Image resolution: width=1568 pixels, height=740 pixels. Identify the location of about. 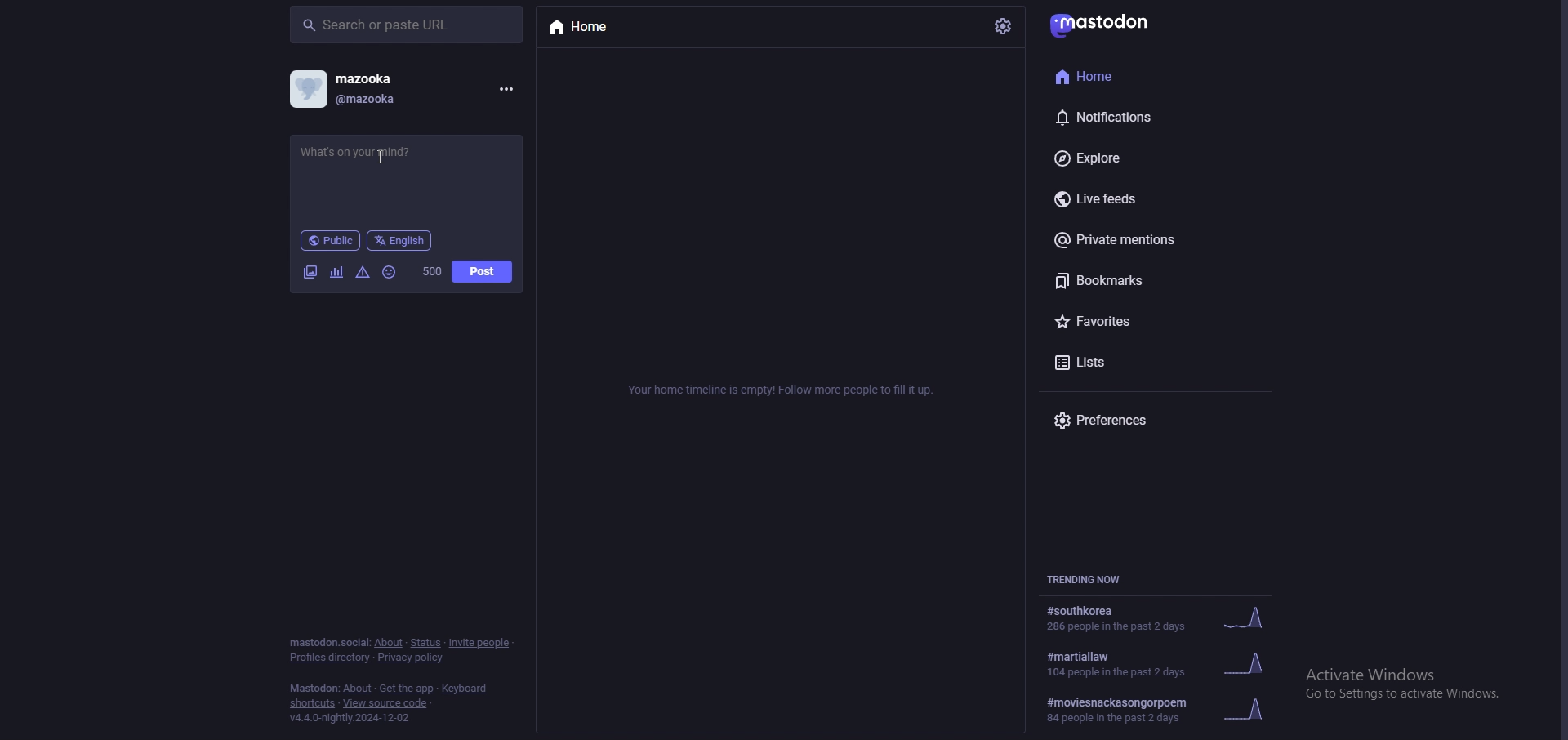
(358, 689).